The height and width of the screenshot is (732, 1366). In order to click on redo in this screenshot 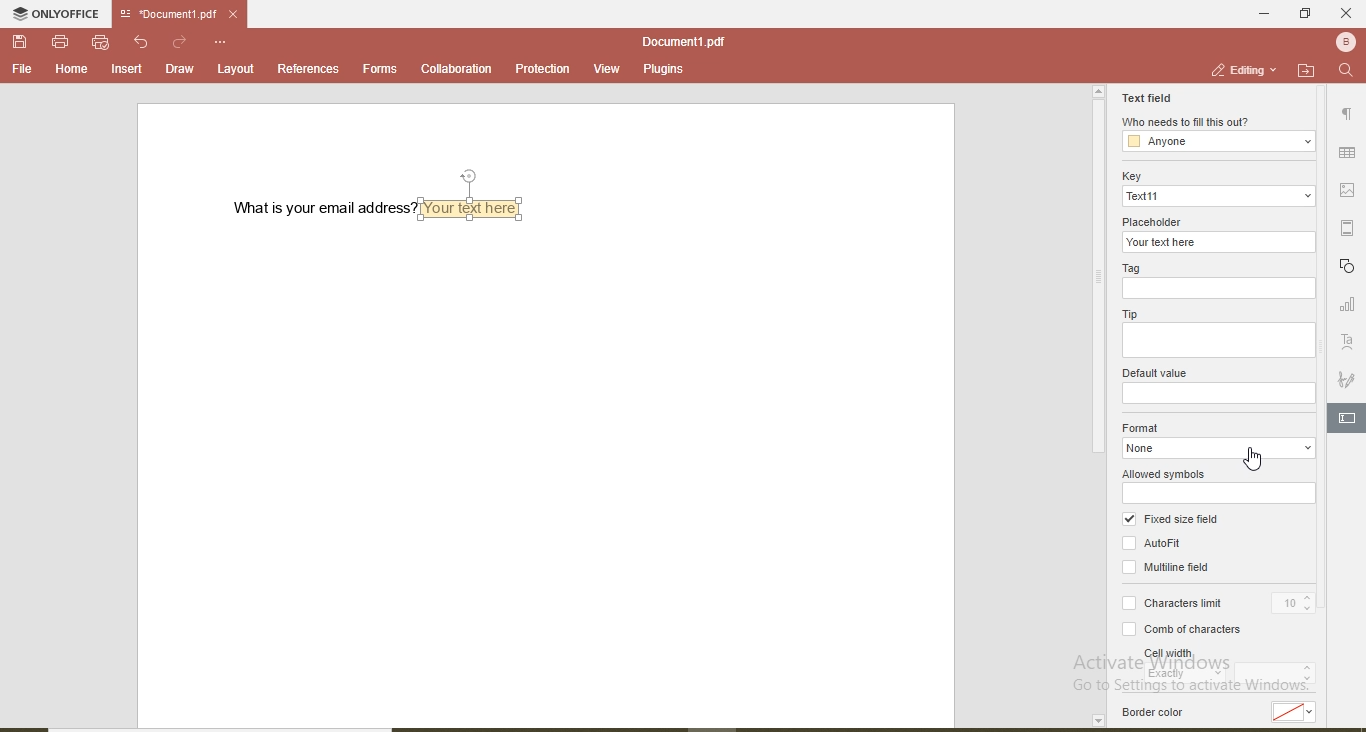, I will do `click(181, 41)`.